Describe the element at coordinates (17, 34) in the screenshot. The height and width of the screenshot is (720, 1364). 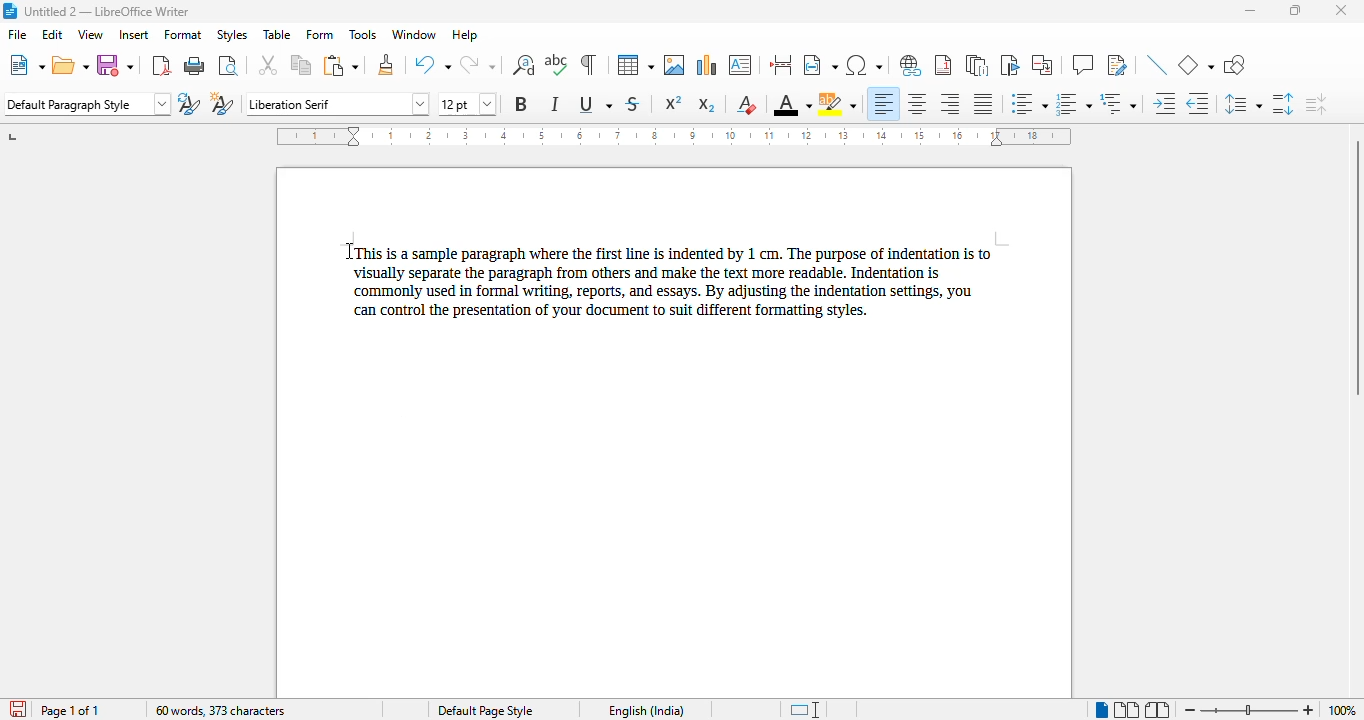
I see `file` at that location.